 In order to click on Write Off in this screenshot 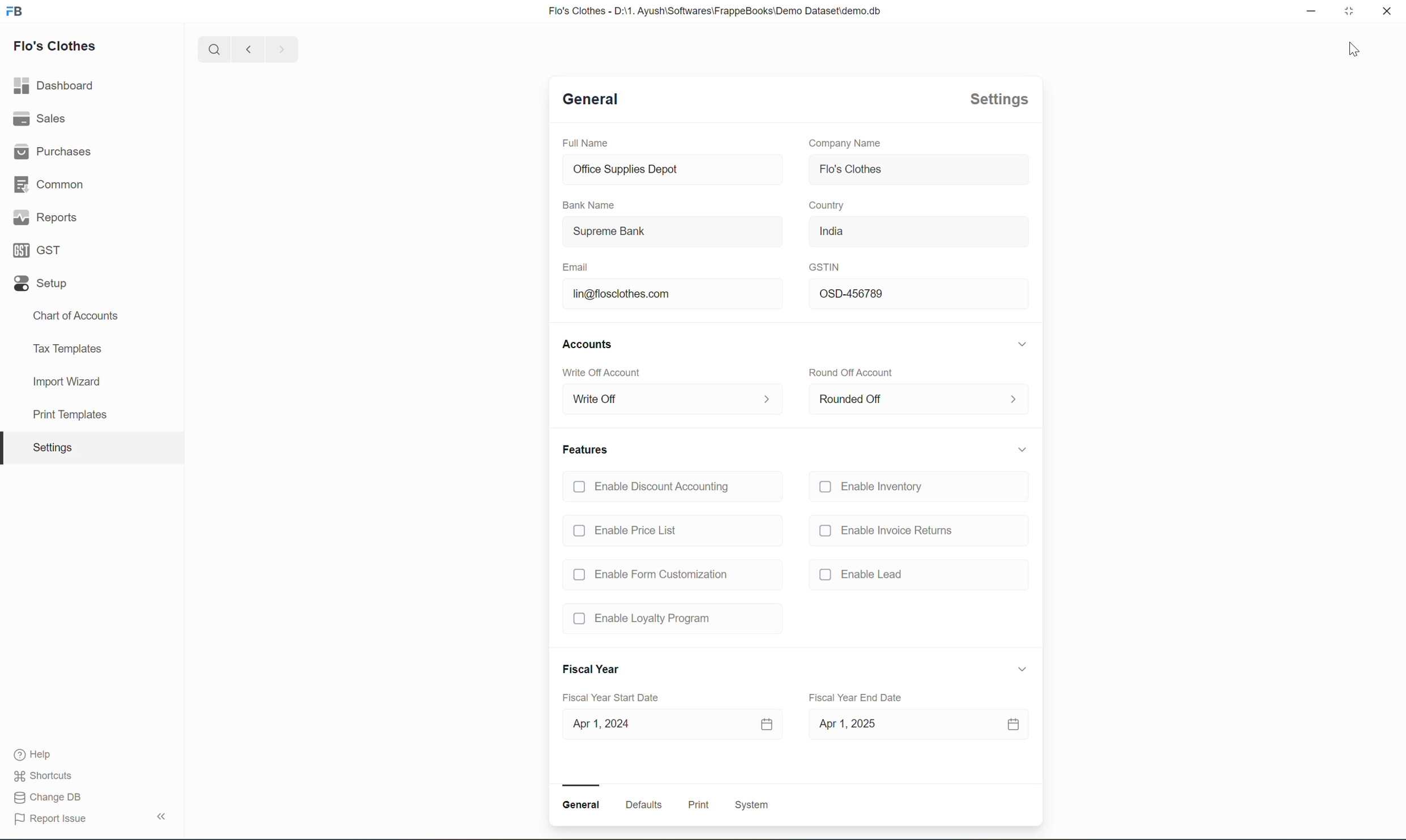, I will do `click(672, 400)`.